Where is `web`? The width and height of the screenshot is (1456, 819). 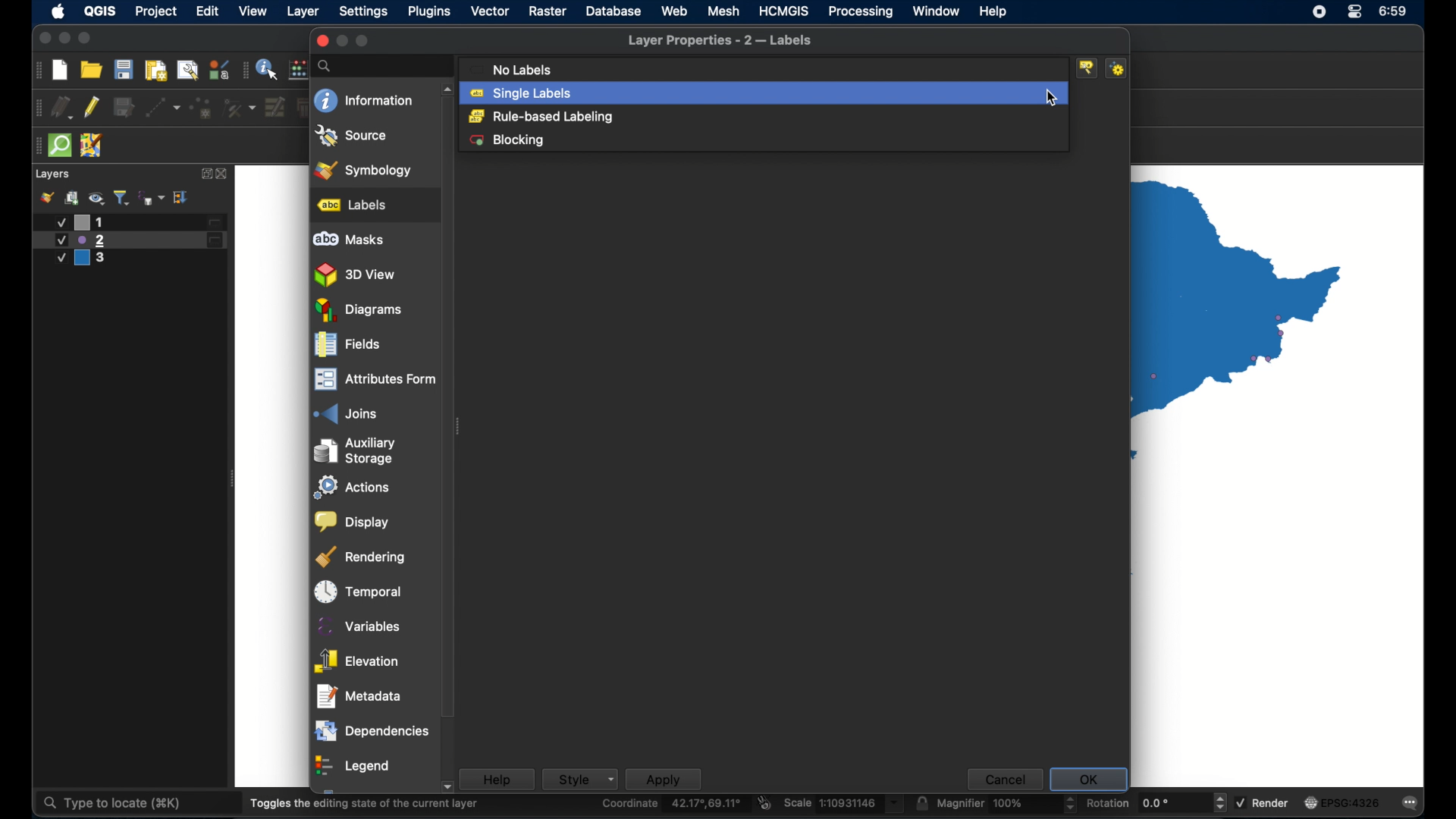
web is located at coordinates (674, 11).